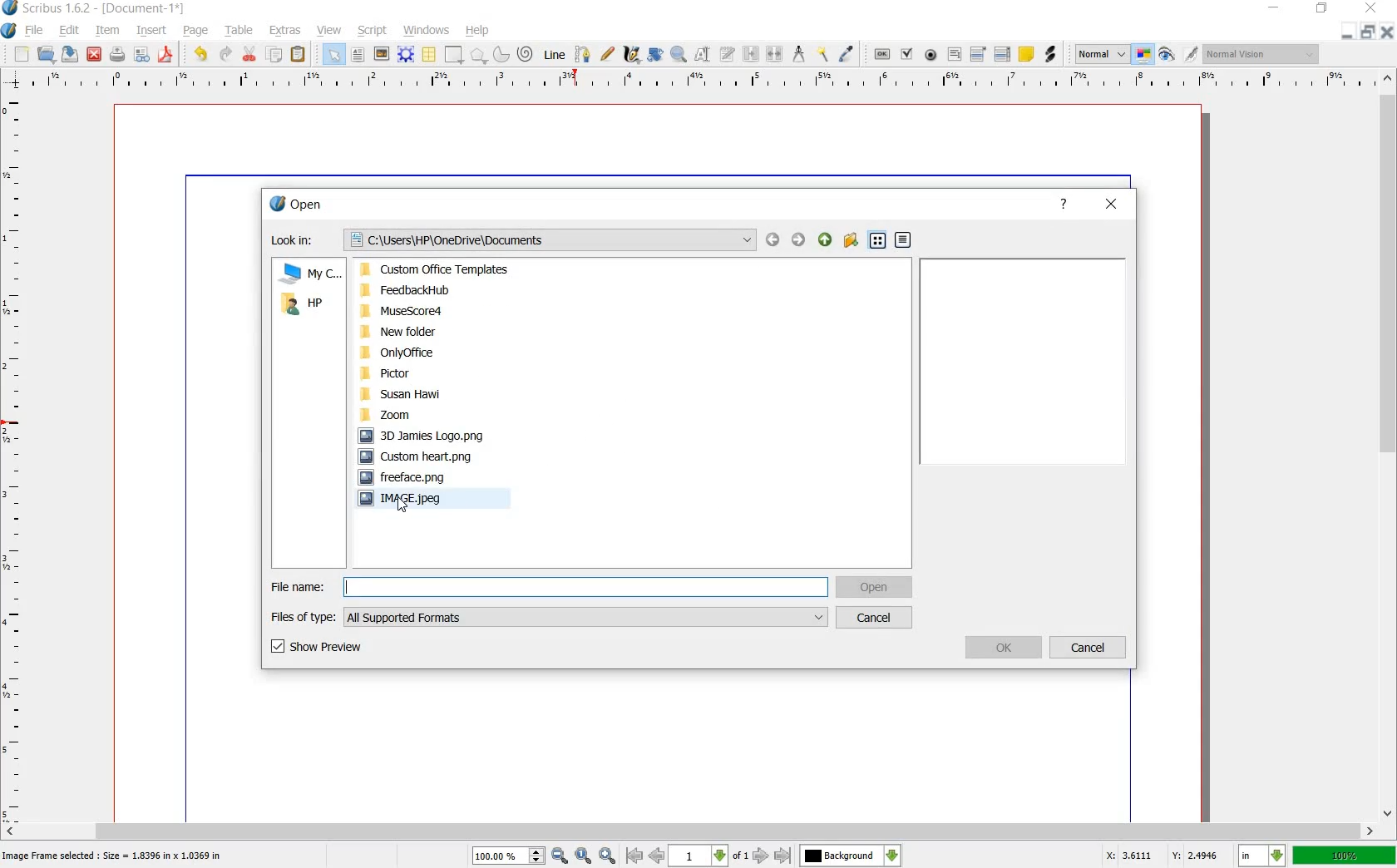 Image resolution: width=1397 pixels, height=868 pixels. I want to click on LIST VIEW, so click(875, 242).